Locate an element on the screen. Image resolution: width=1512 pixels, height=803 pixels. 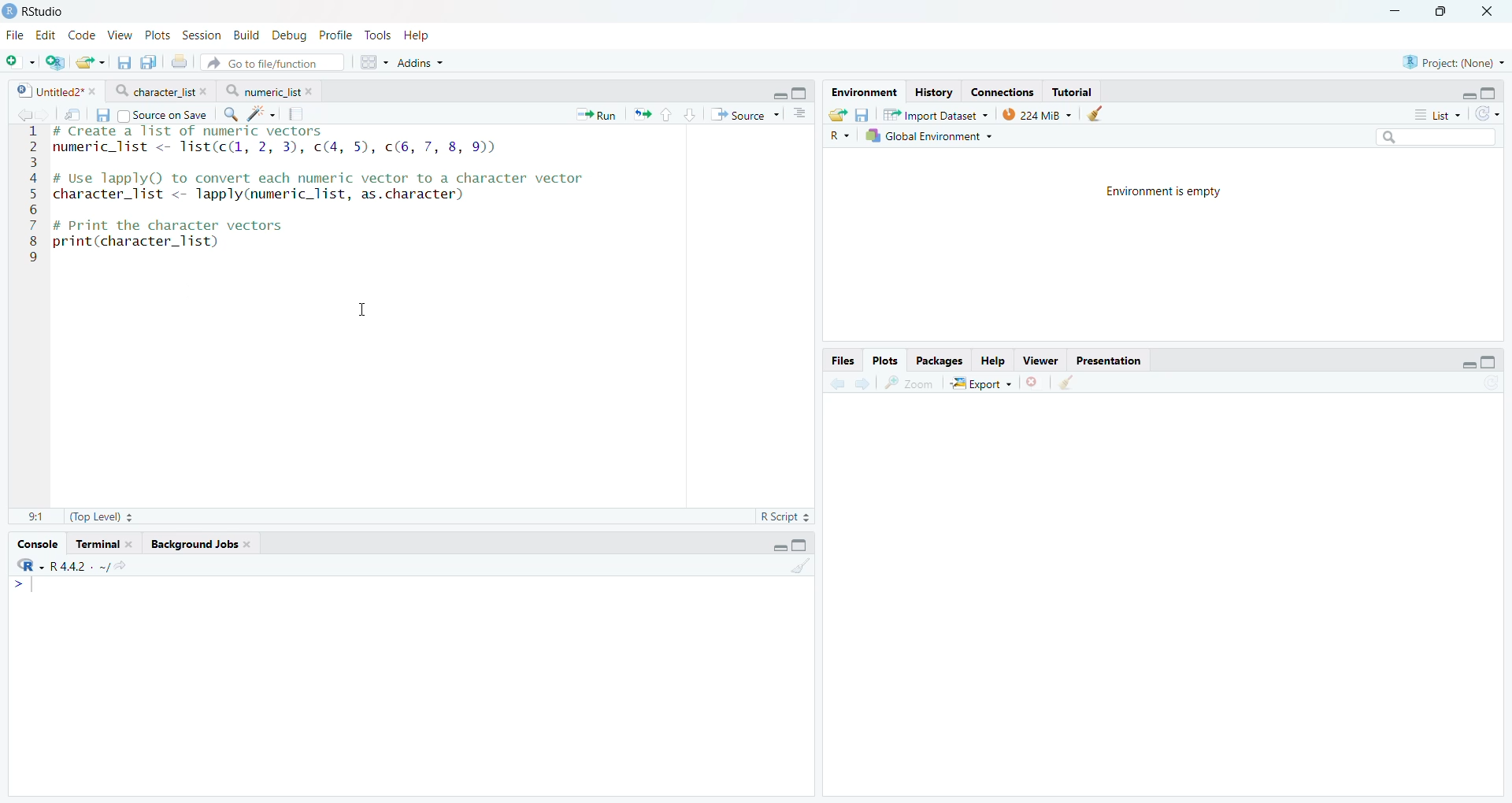
Close is located at coordinates (1490, 11).